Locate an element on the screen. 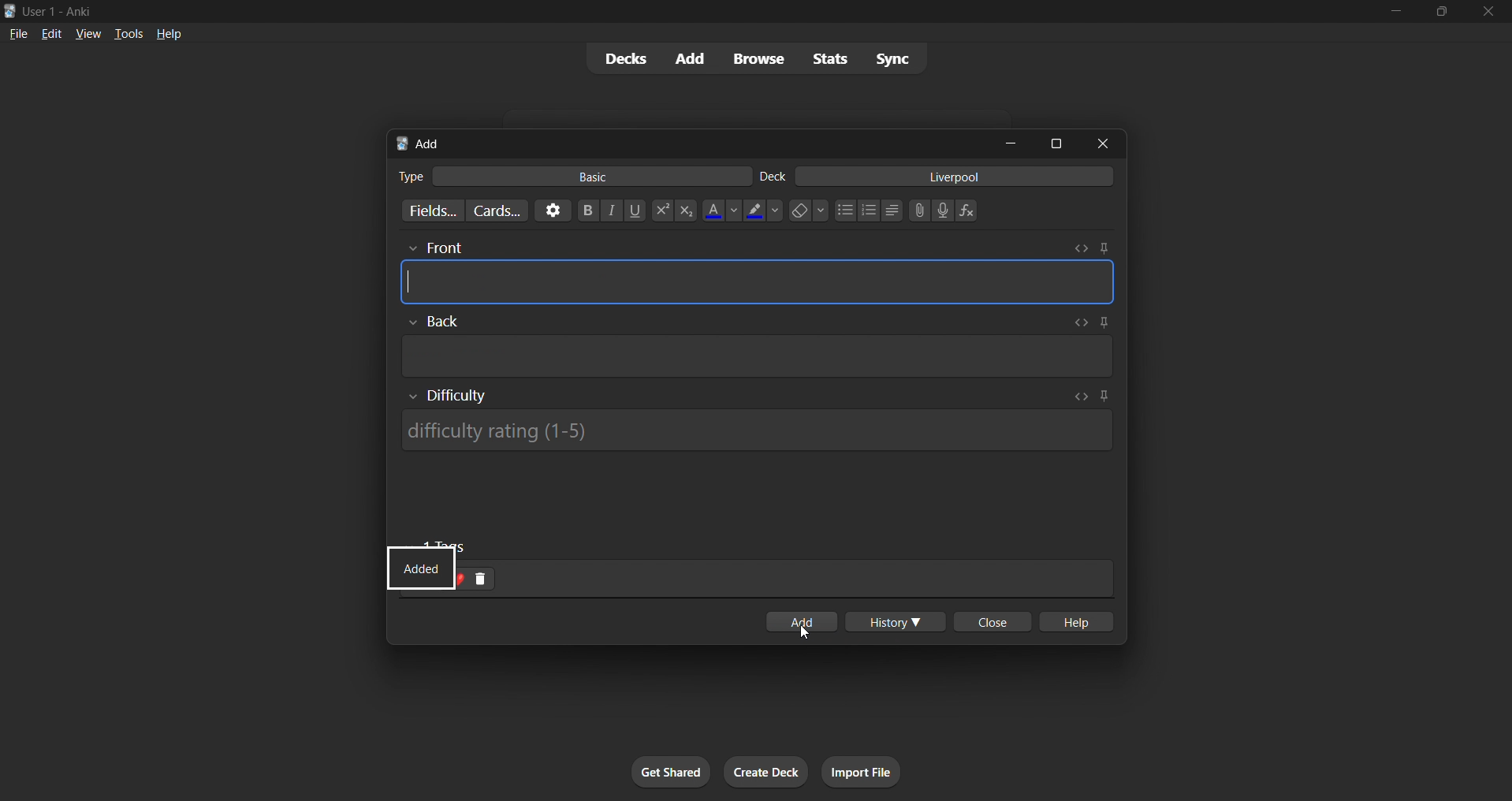 The width and height of the screenshot is (1512, 801). import file is located at coordinates (867, 770).